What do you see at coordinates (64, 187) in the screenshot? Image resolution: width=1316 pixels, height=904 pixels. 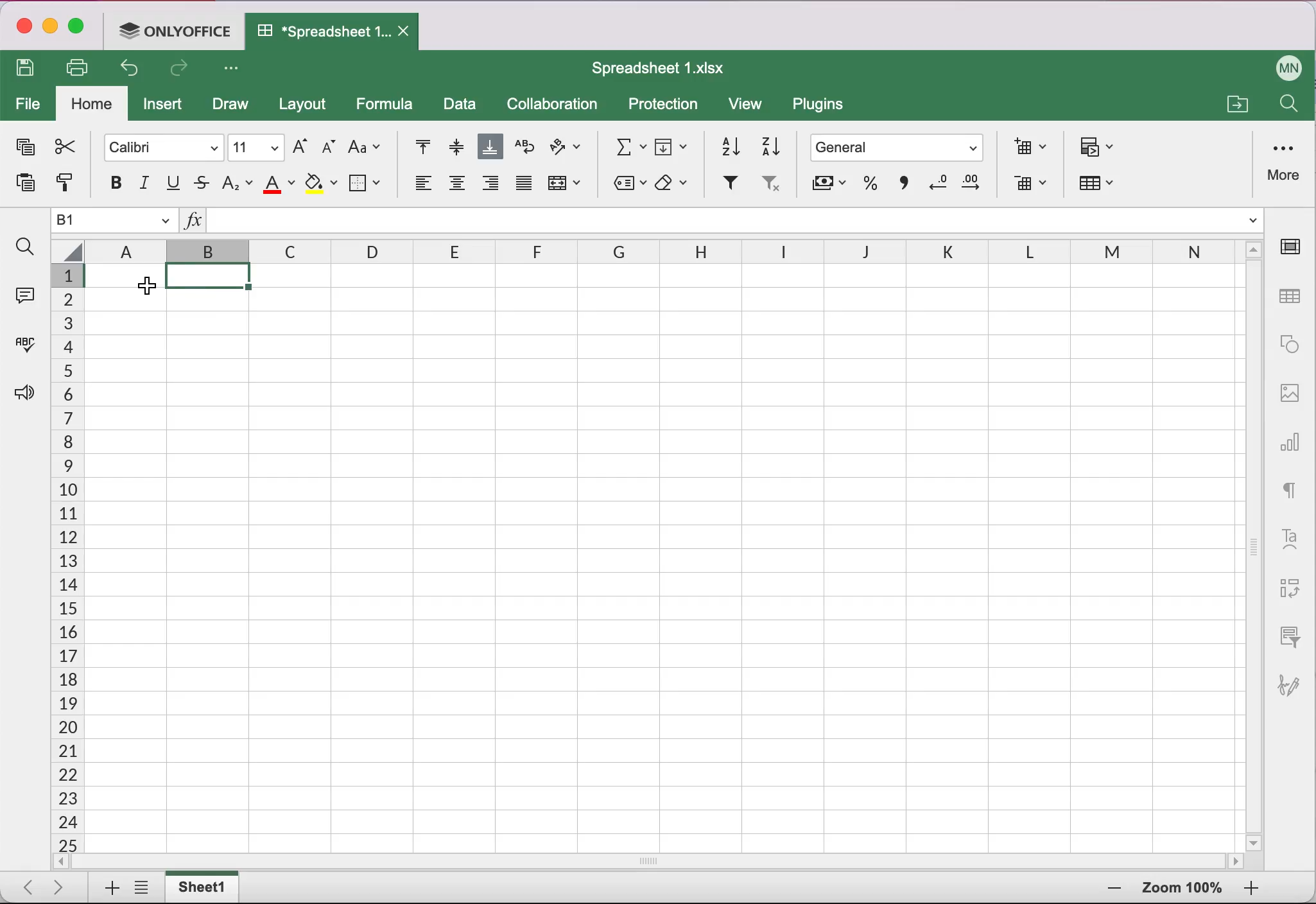 I see `copy style` at bounding box center [64, 187].